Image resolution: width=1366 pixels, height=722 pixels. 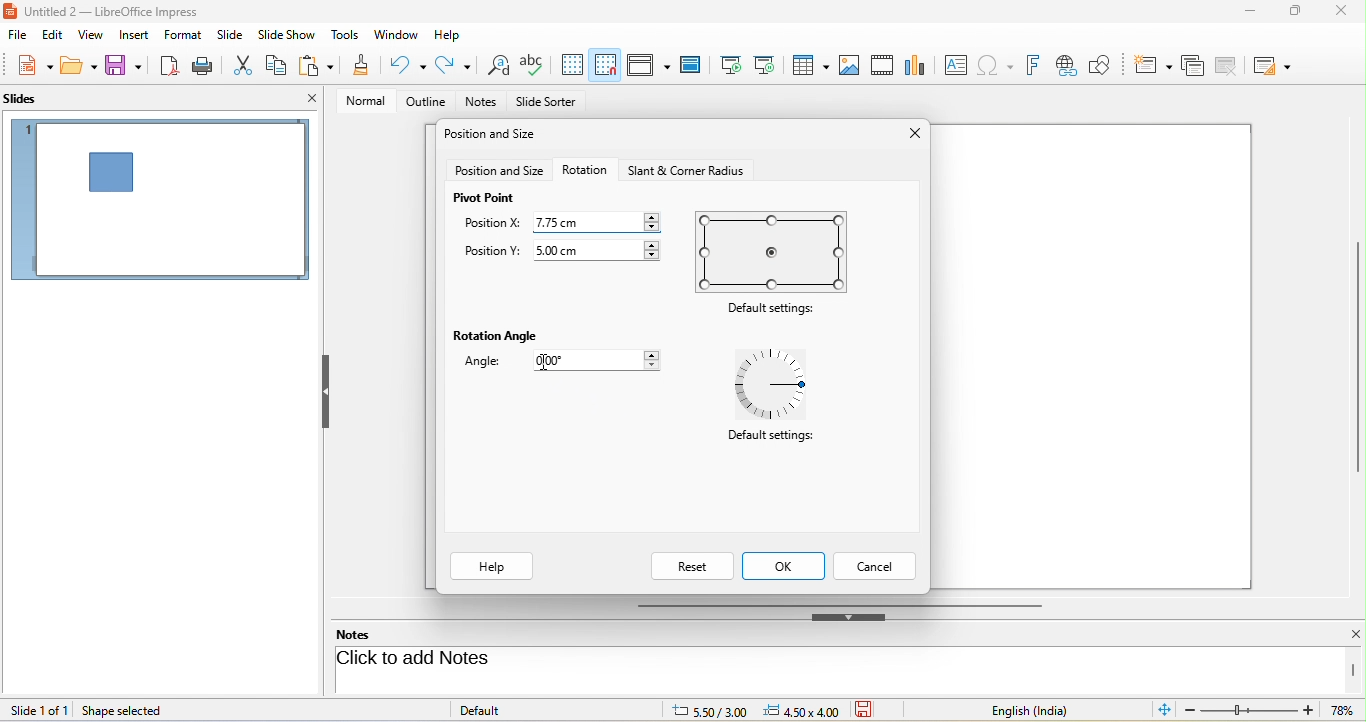 What do you see at coordinates (812, 67) in the screenshot?
I see `table` at bounding box center [812, 67].